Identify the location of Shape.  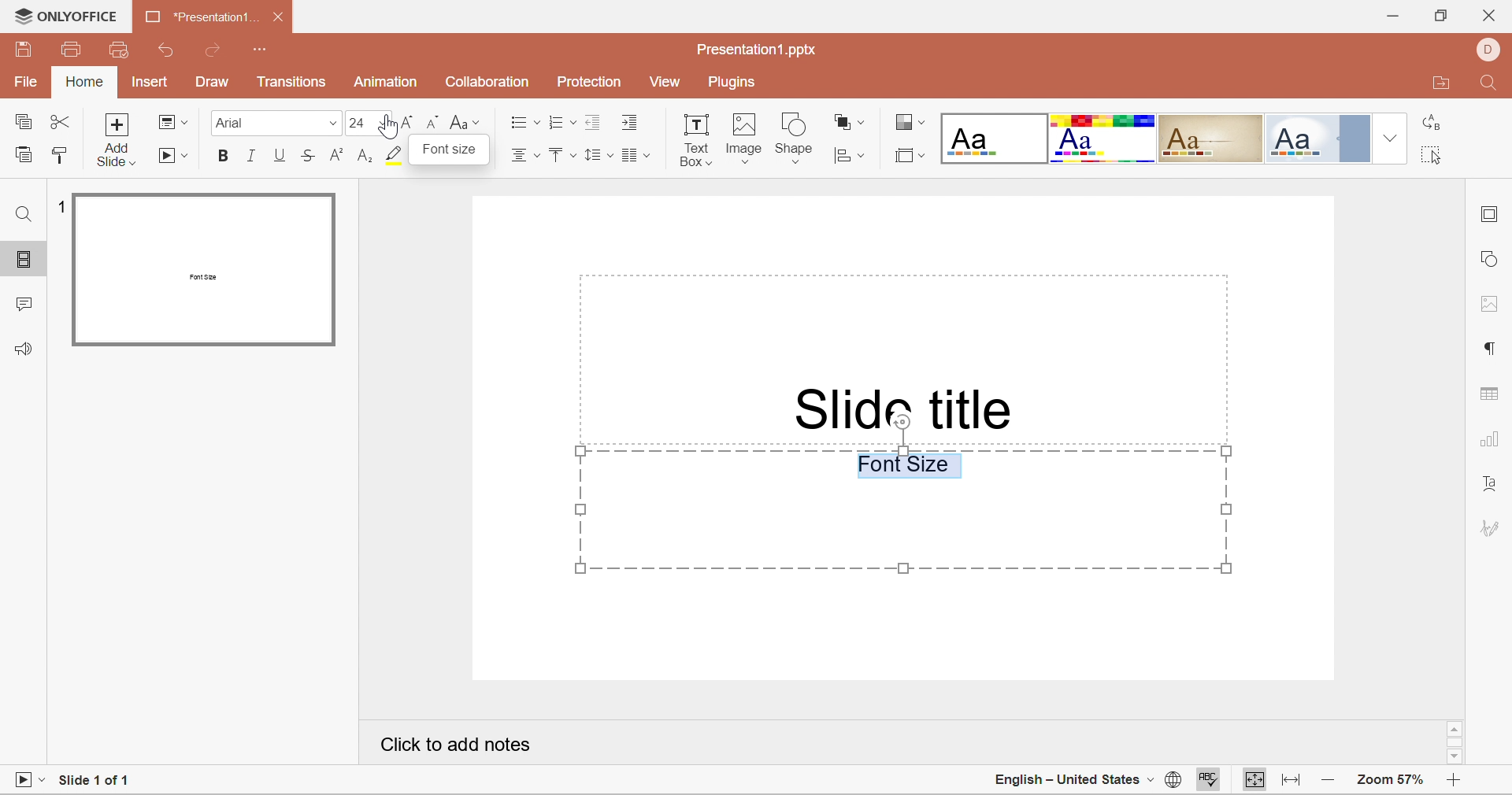
(798, 135).